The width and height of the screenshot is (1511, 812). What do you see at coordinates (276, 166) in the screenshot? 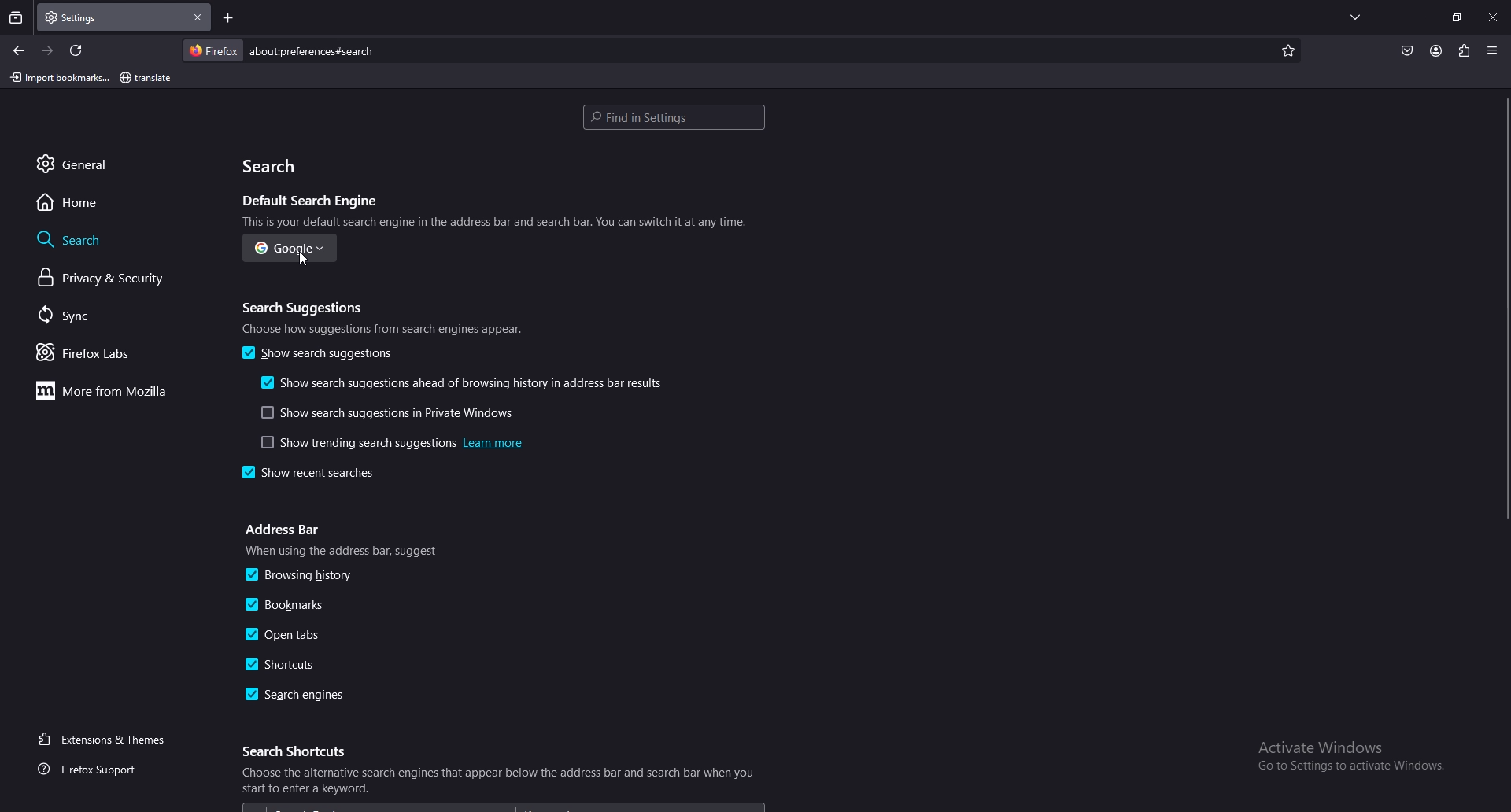
I see `search` at bounding box center [276, 166].